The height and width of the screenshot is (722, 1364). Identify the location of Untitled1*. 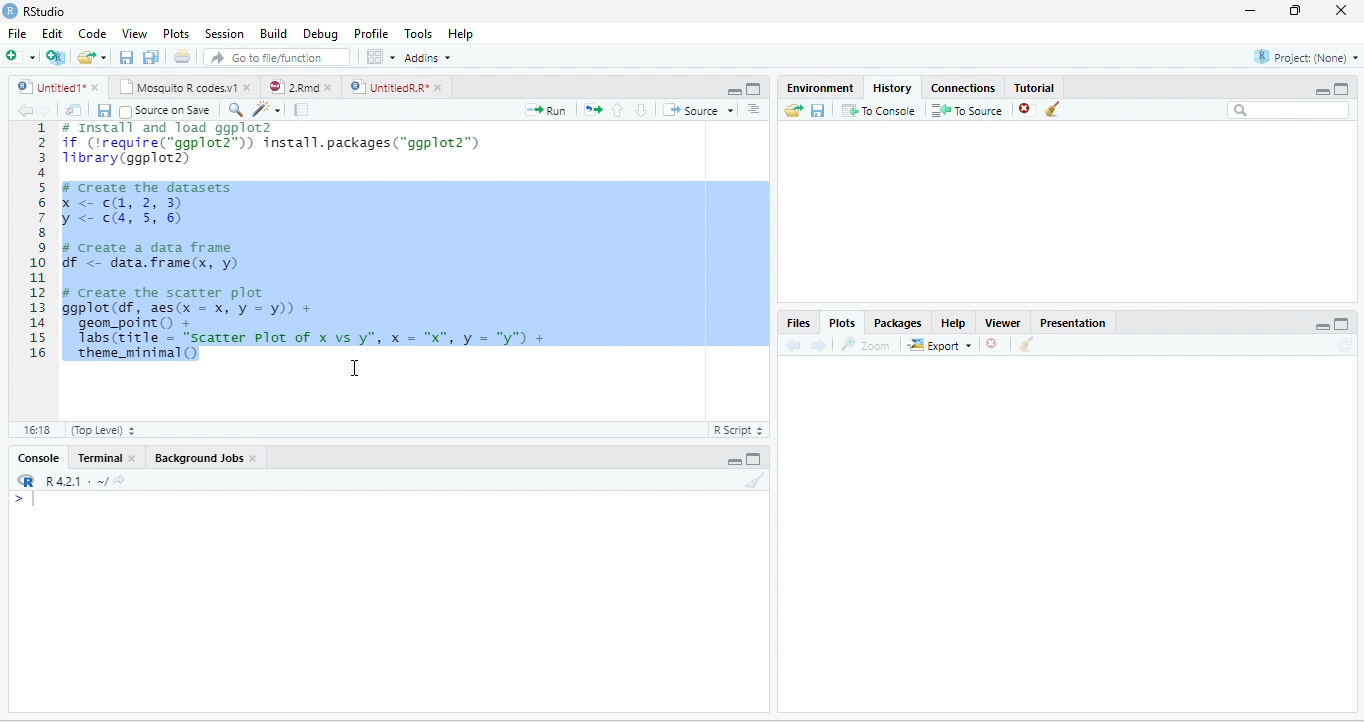
(48, 87).